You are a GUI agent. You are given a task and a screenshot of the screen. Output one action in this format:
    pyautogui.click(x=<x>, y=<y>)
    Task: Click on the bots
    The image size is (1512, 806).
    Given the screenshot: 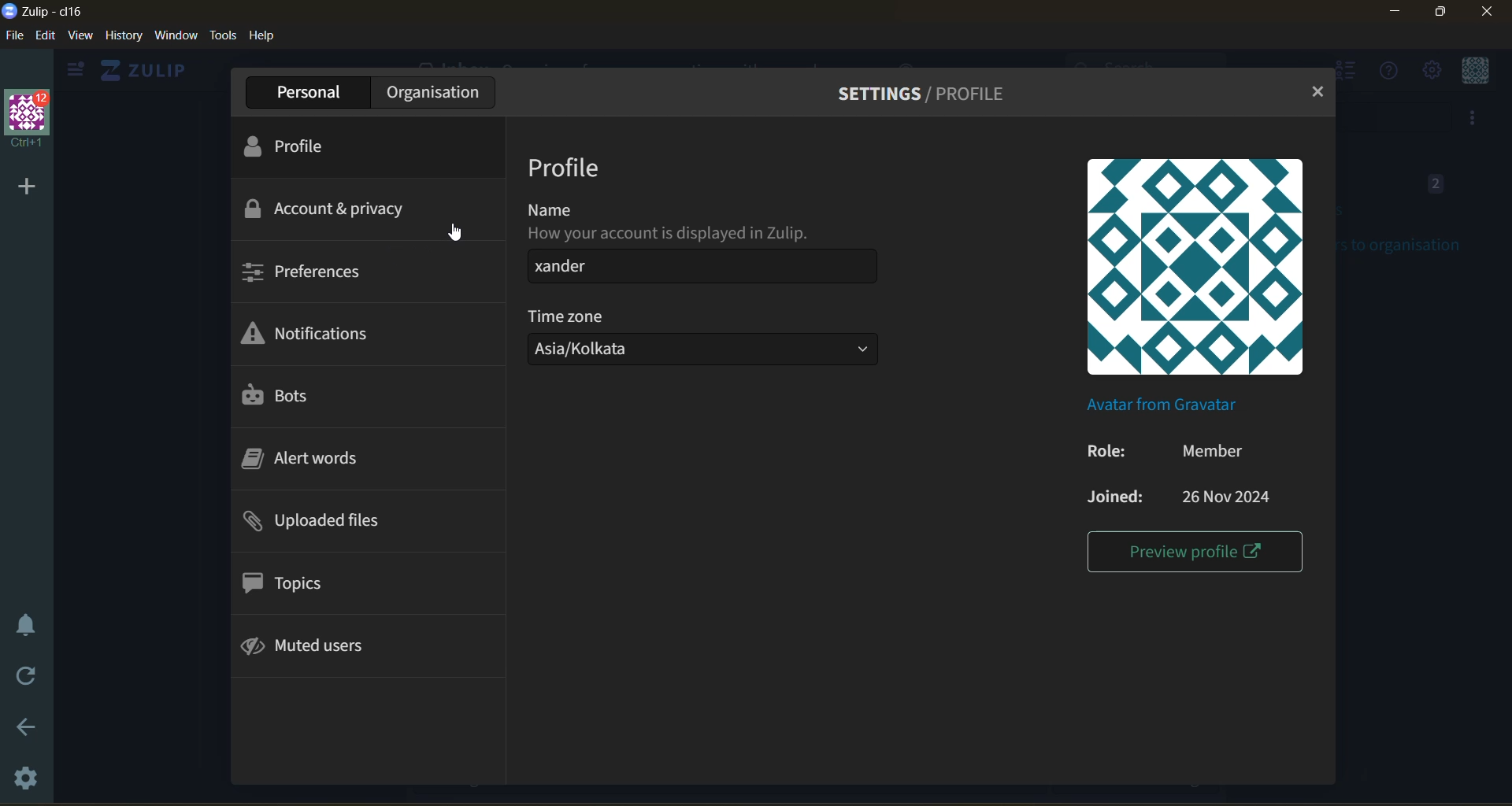 What is the action you would take?
    pyautogui.click(x=283, y=397)
    